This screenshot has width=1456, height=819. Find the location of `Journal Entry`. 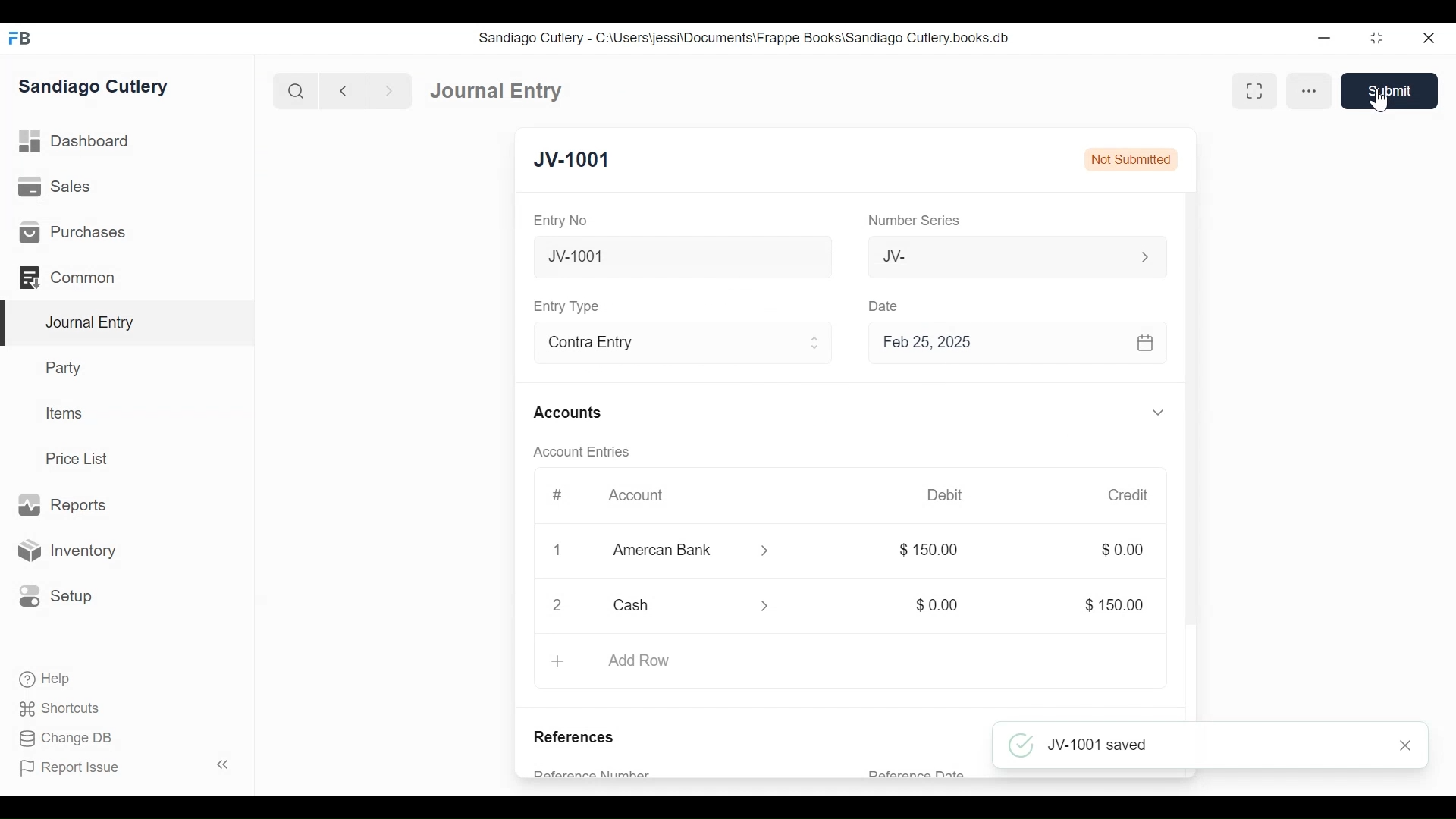

Journal Entry is located at coordinates (128, 324).